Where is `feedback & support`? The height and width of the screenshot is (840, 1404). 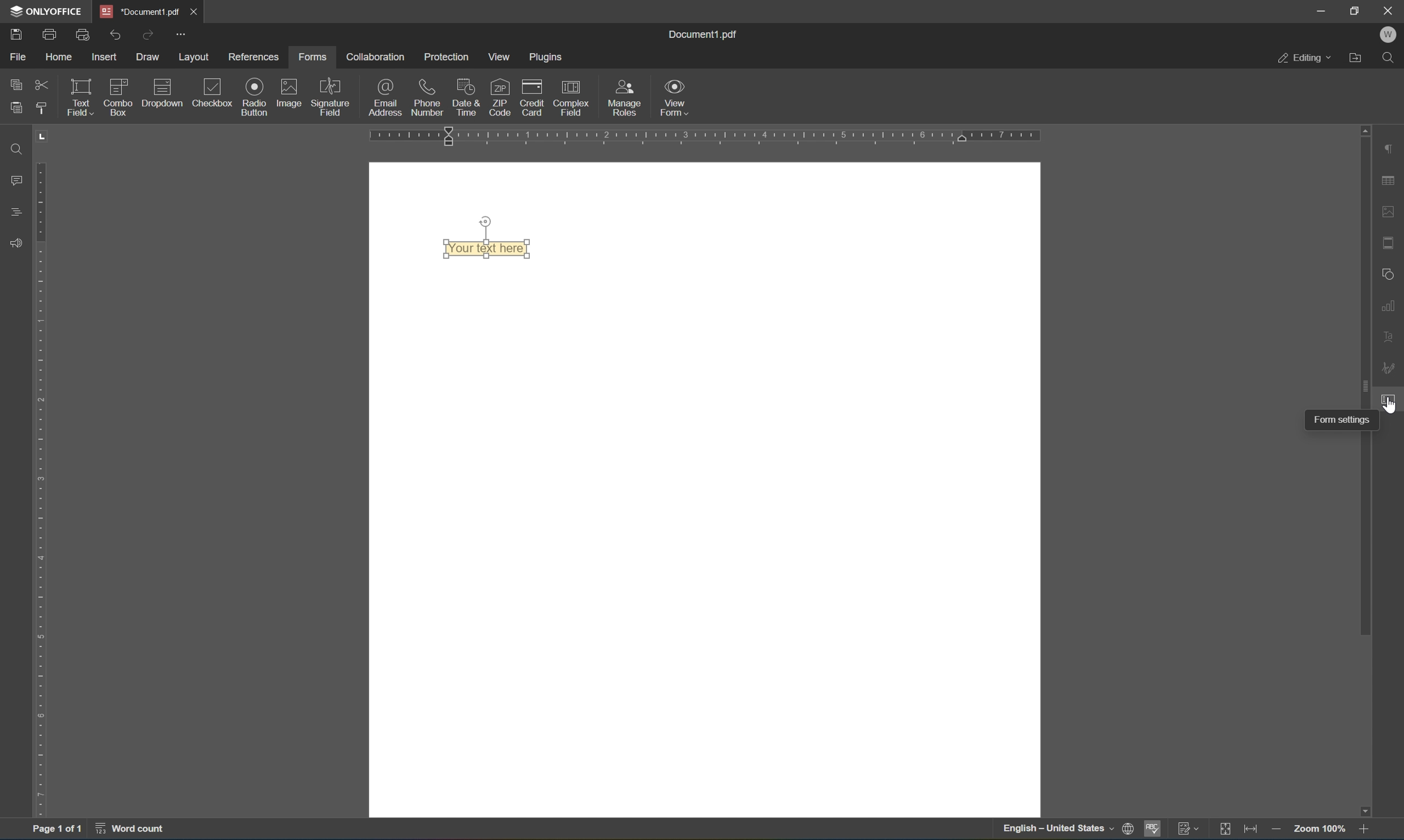 feedback & support is located at coordinates (19, 242).